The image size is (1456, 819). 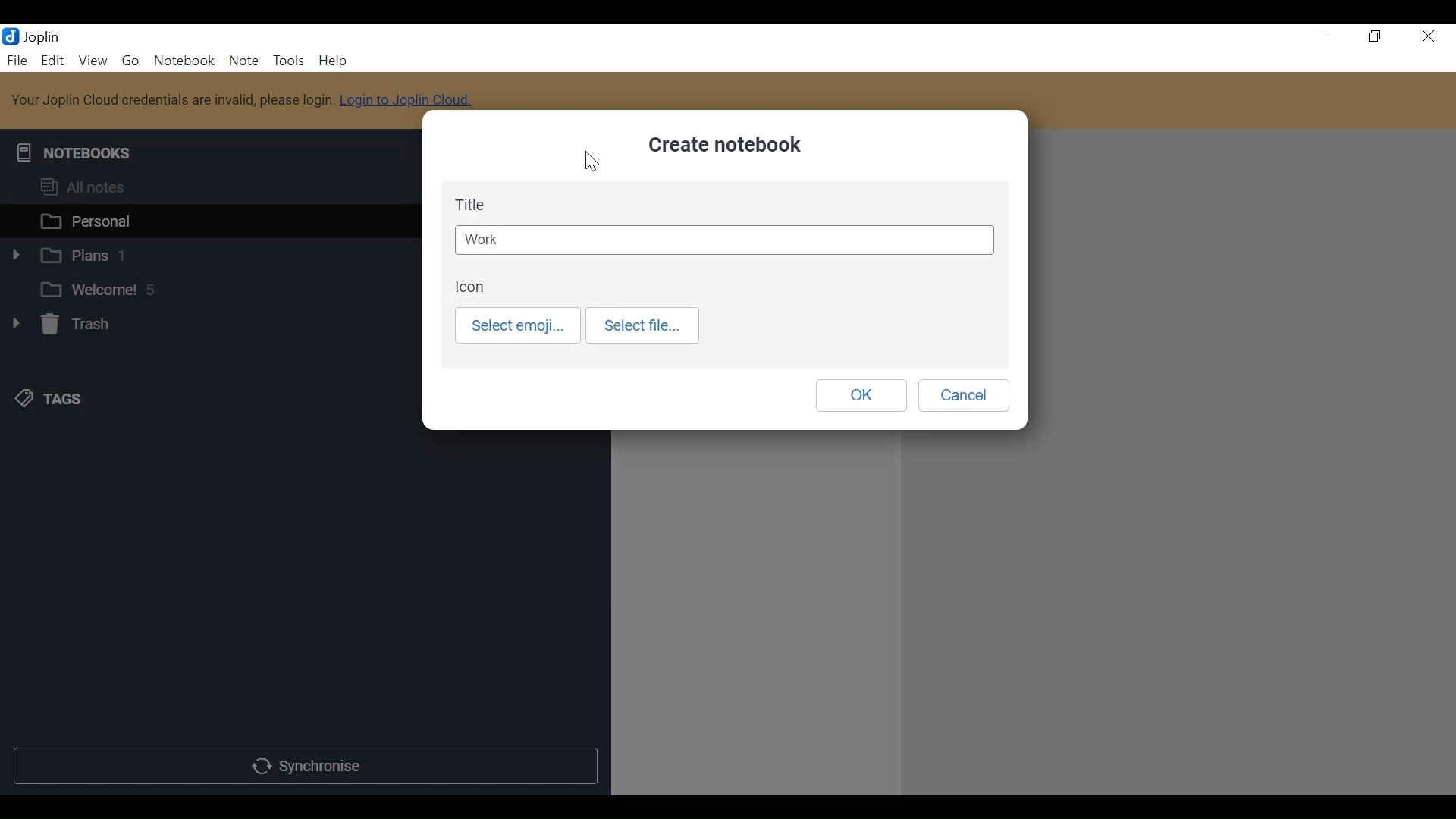 I want to click on Minimize, so click(x=1323, y=36).